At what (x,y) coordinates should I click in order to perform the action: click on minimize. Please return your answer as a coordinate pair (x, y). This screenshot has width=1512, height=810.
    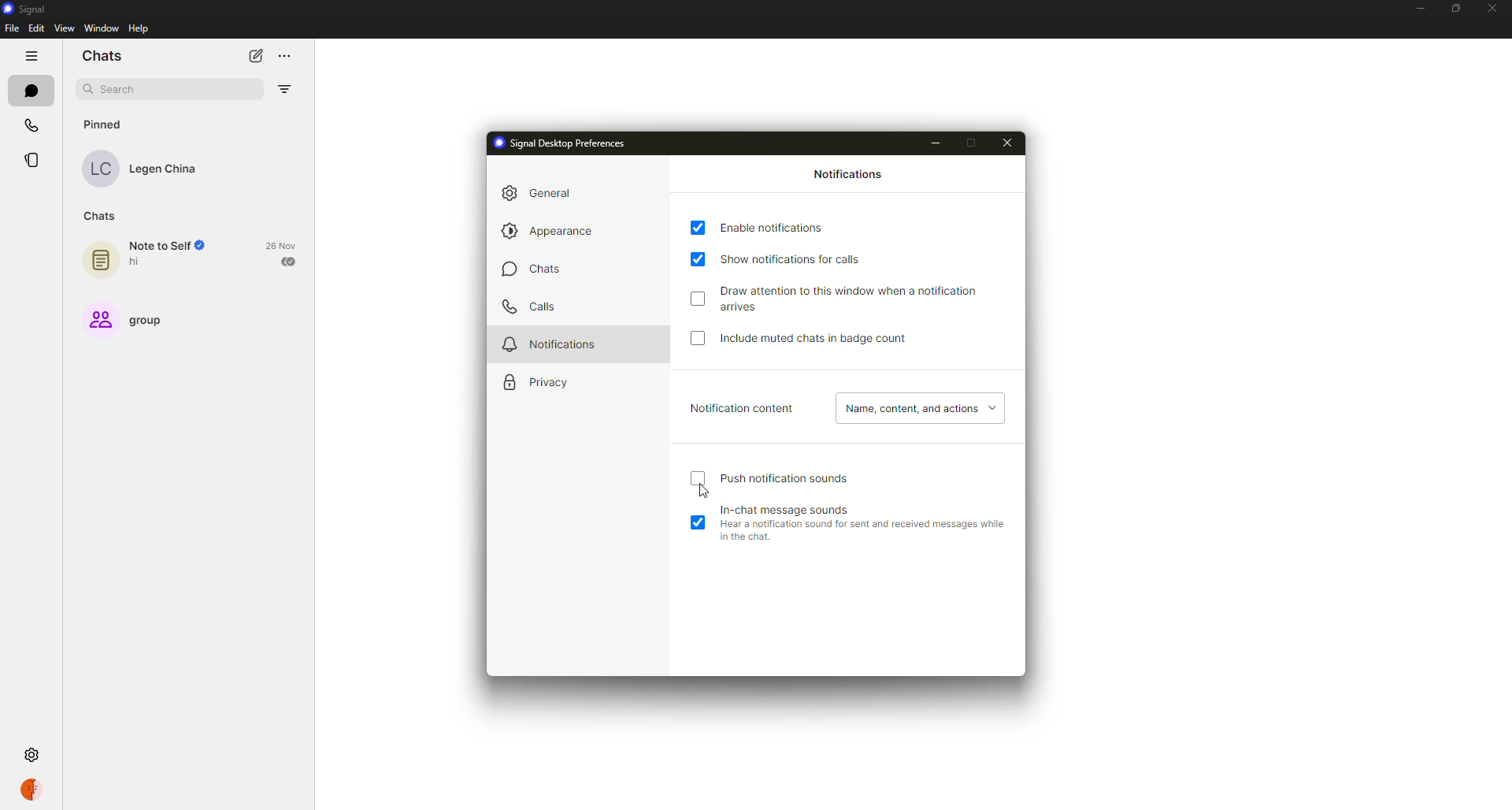
    Looking at the image, I should click on (936, 140).